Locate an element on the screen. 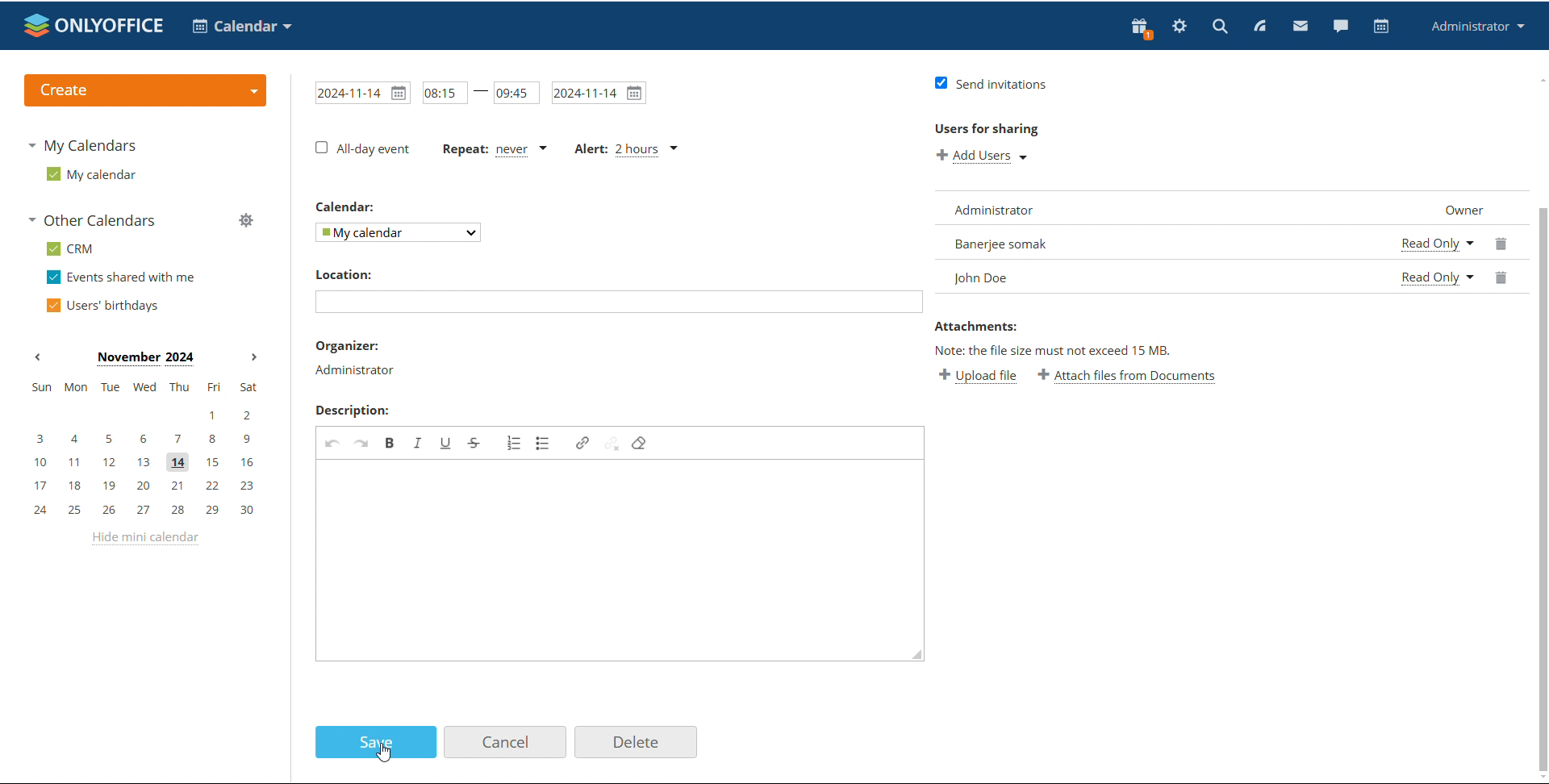 This screenshot has height=784, width=1549. hide mini calendar is located at coordinates (148, 541).